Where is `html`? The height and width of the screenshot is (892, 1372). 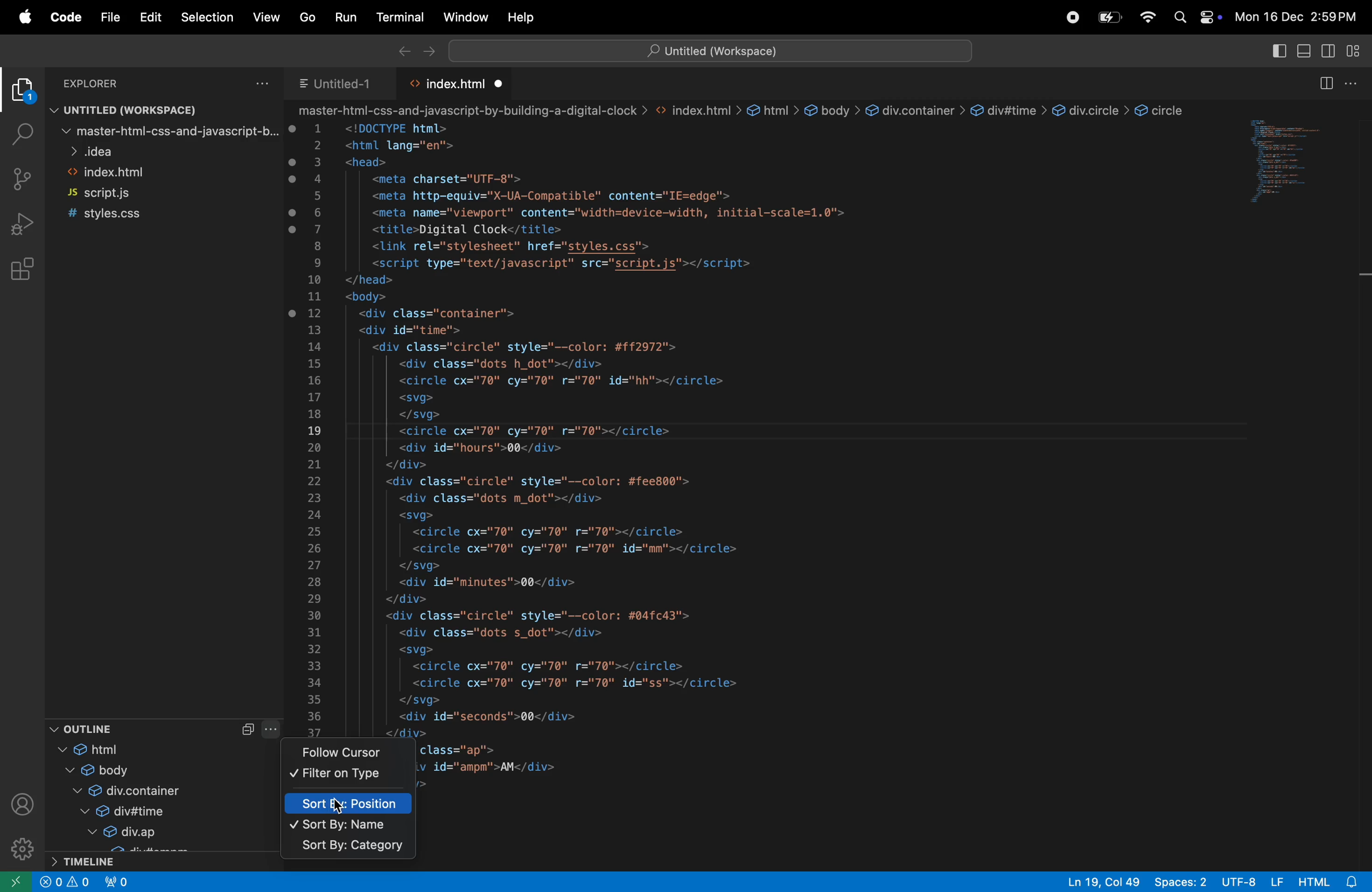 html is located at coordinates (144, 749).